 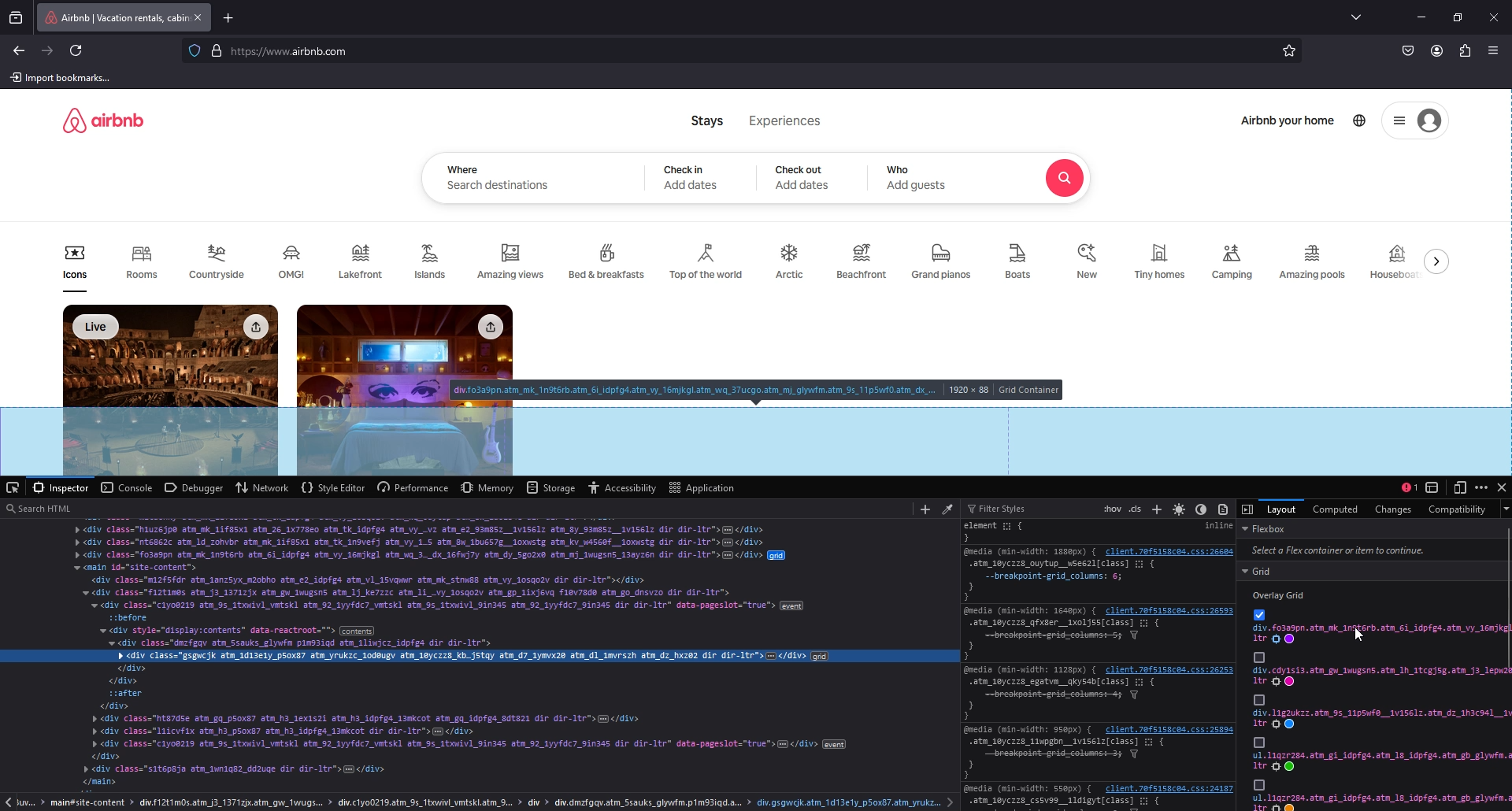 I want to click on boats, so click(x=1022, y=261).